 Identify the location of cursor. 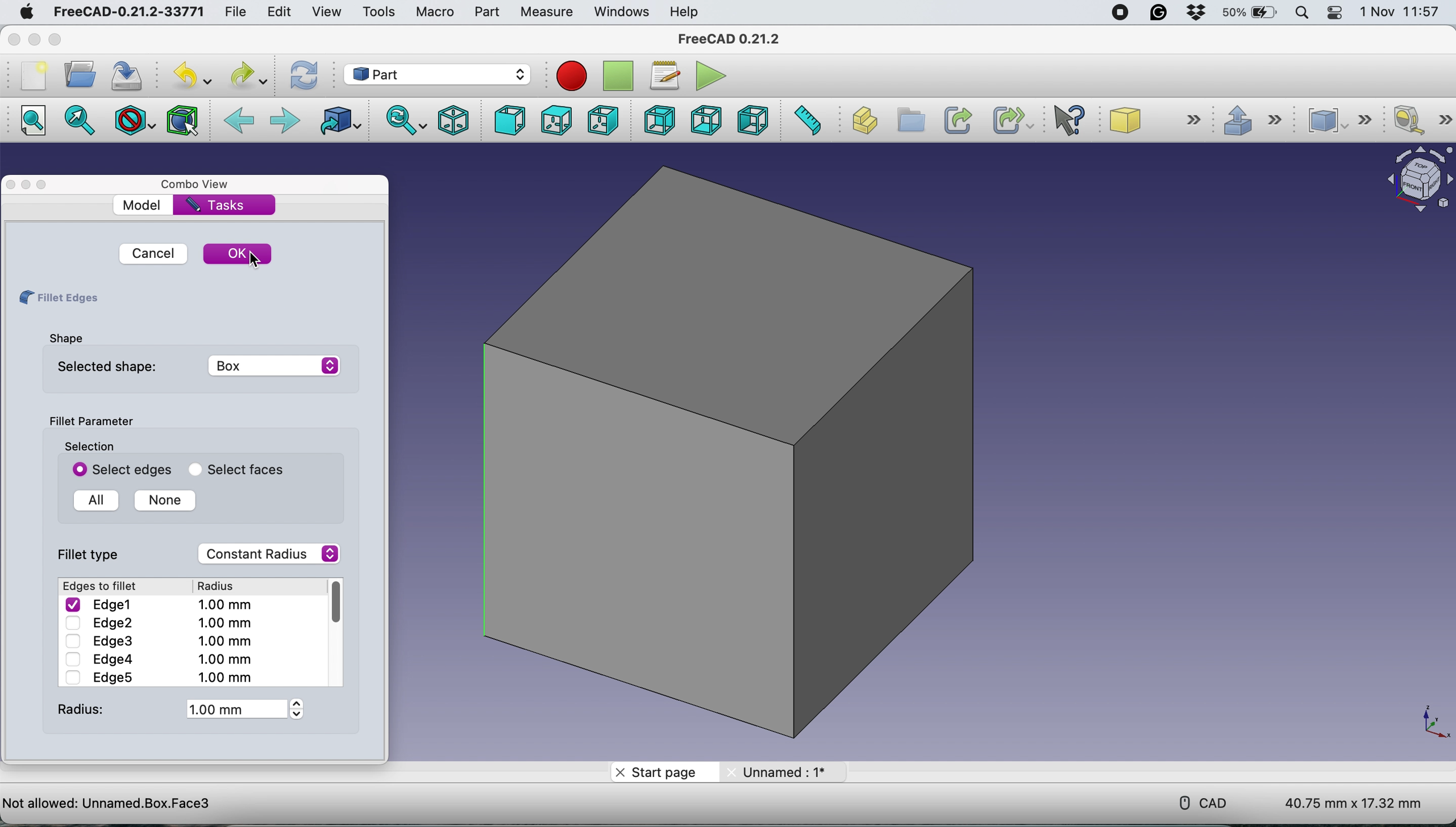
(256, 260).